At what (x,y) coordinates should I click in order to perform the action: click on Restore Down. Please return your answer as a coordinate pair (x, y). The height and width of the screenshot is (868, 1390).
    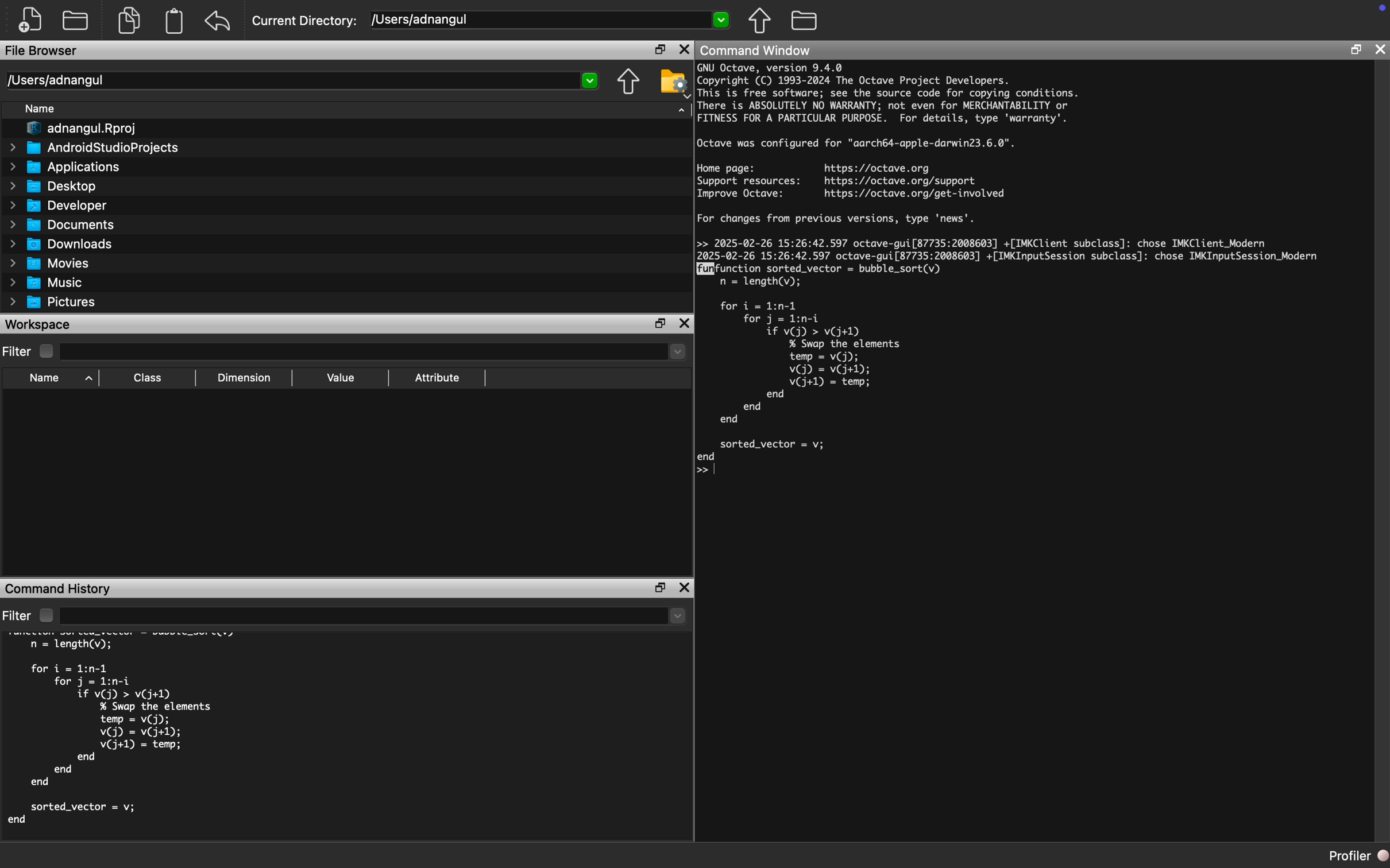
    Looking at the image, I should click on (661, 588).